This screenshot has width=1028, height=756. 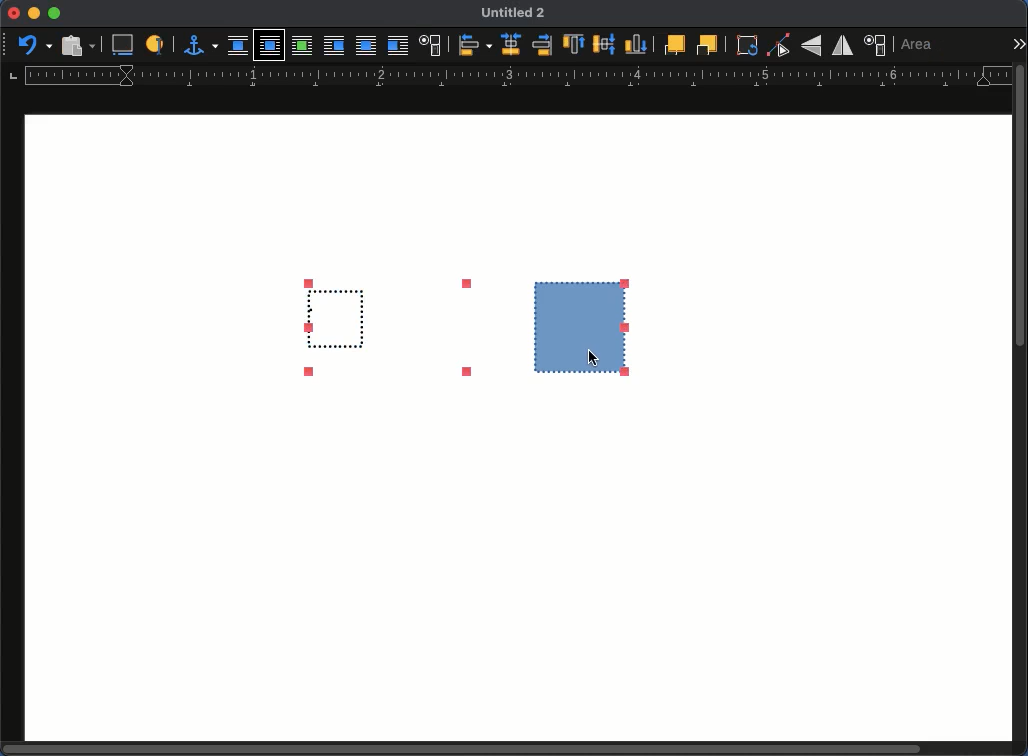 What do you see at coordinates (366, 47) in the screenshot?
I see `through` at bounding box center [366, 47].